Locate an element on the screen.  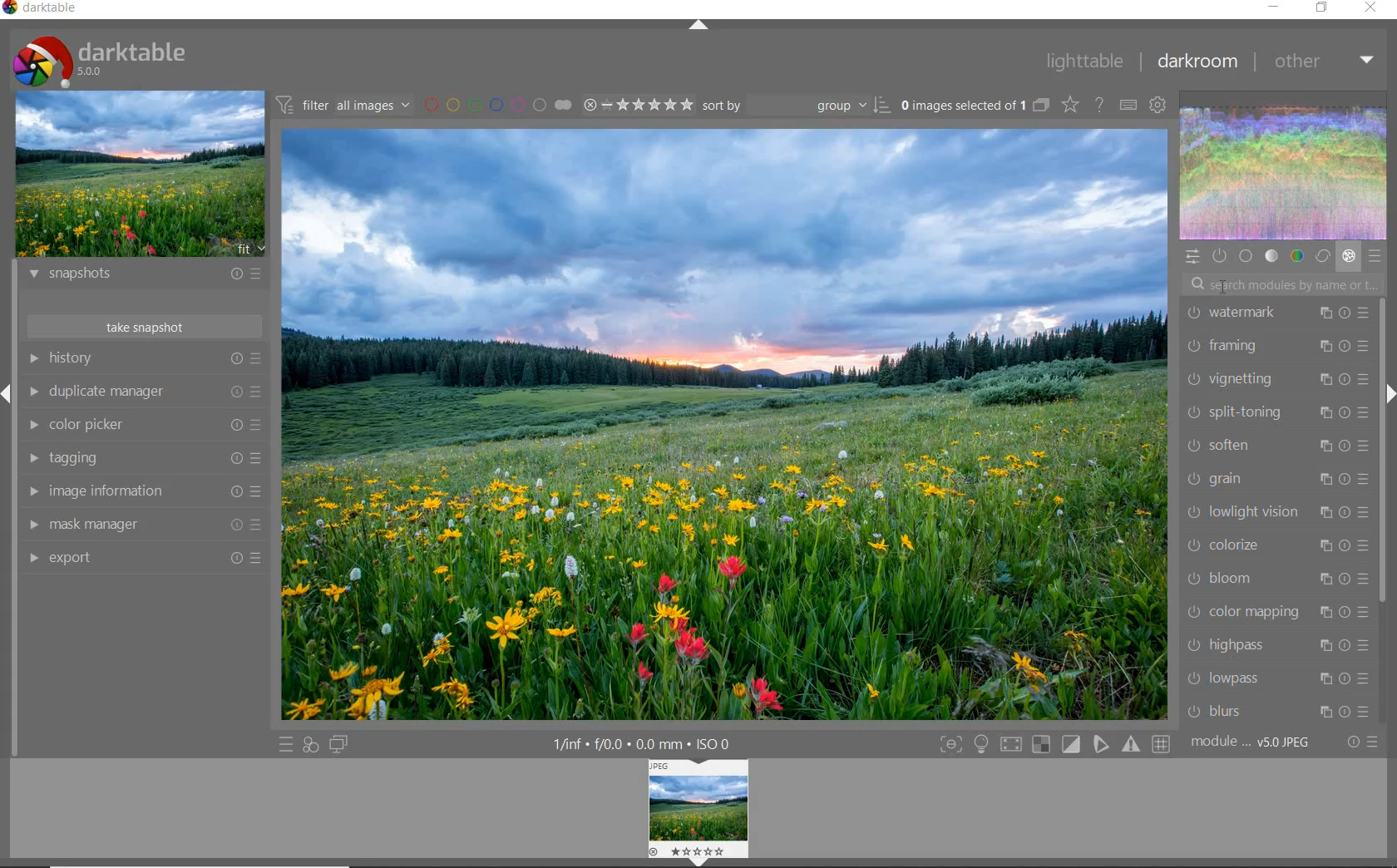
tagging is located at coordinates (141, 457).